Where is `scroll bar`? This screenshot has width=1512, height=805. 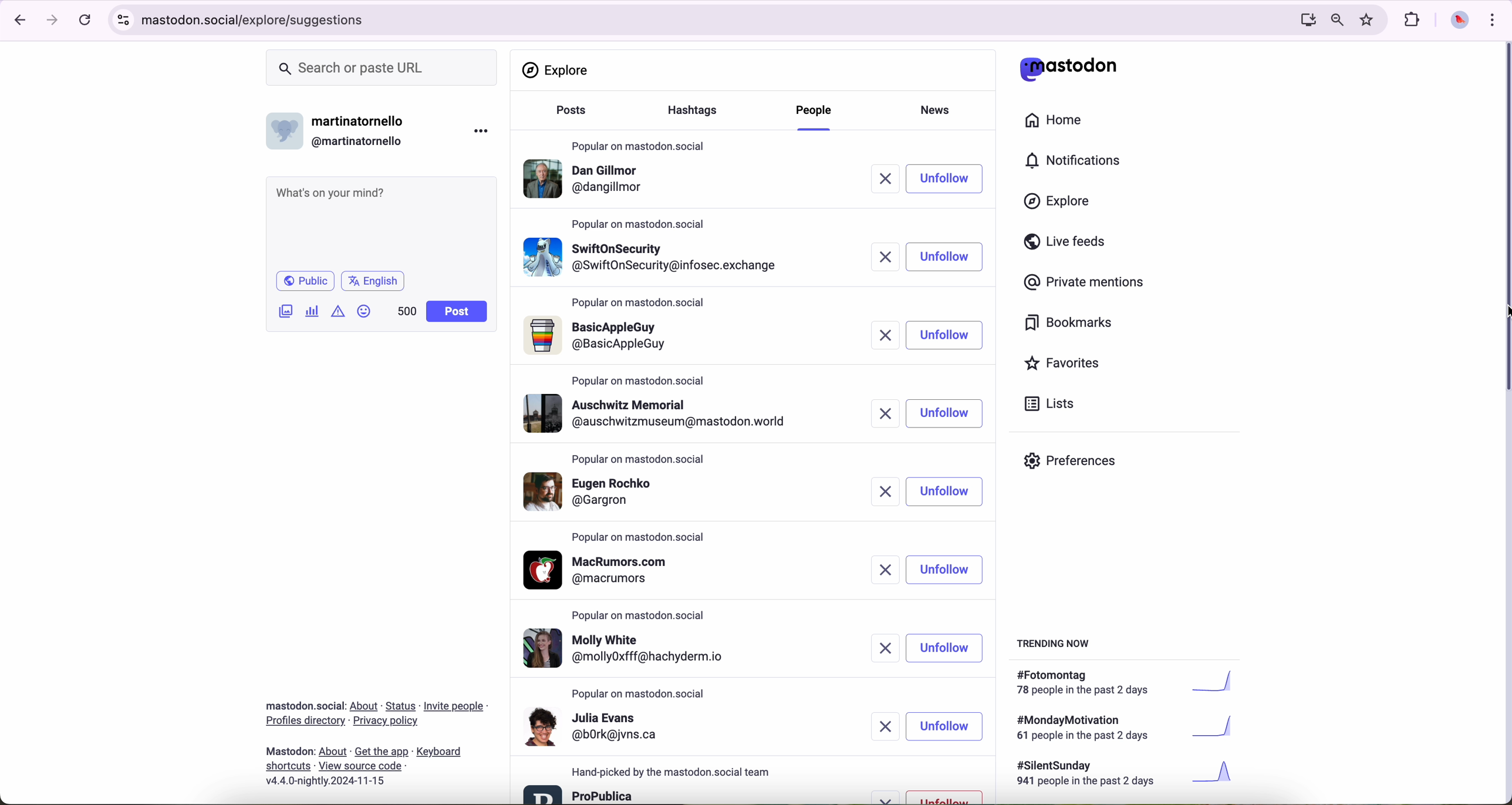
scroll bar is located at coordinates (1503, 220).